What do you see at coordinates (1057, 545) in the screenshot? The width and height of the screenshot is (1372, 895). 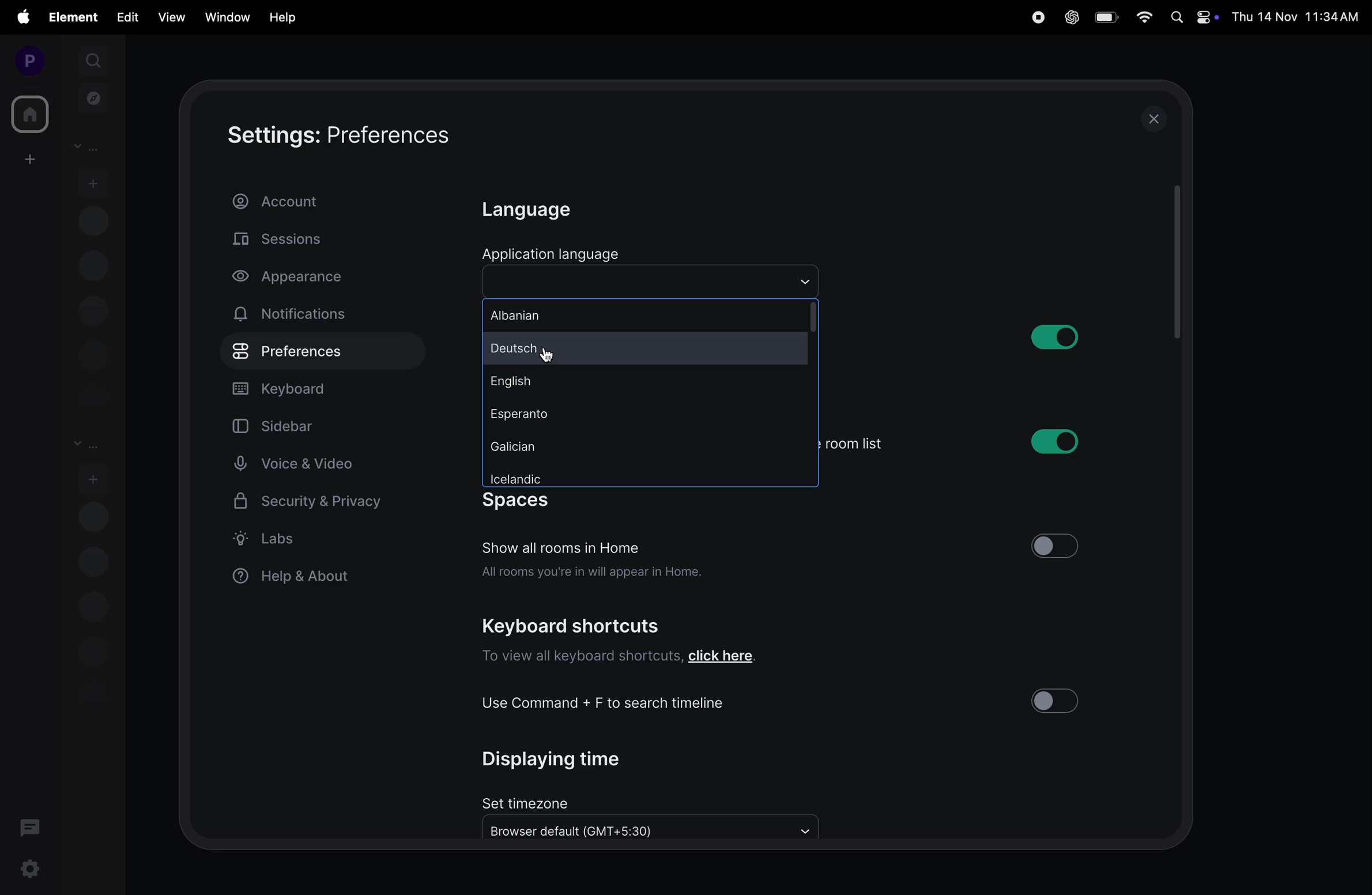 I see `button` at bounding box center [1057, 545].